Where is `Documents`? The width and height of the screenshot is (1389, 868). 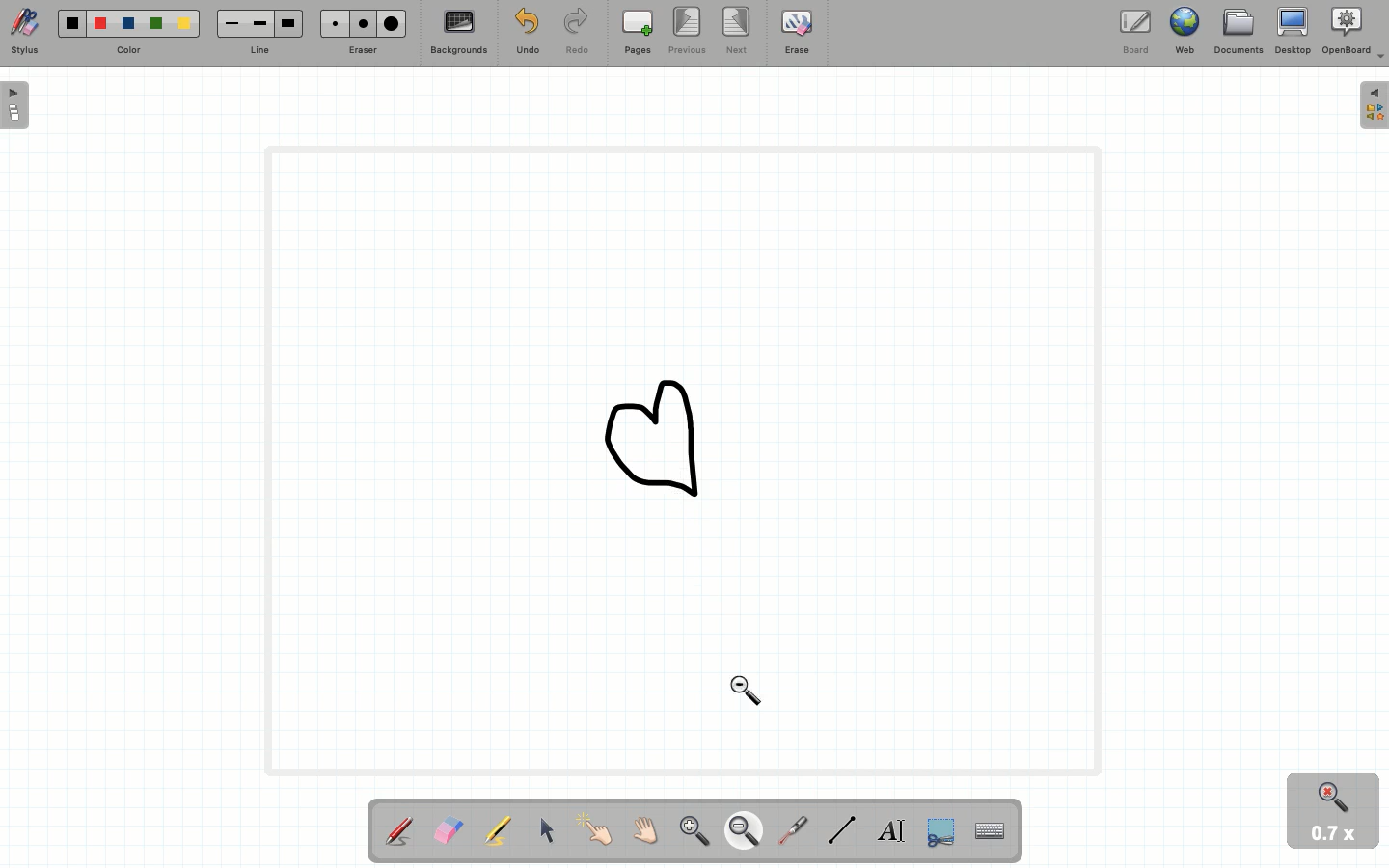
Documents is located at coordinates (1237, 32).